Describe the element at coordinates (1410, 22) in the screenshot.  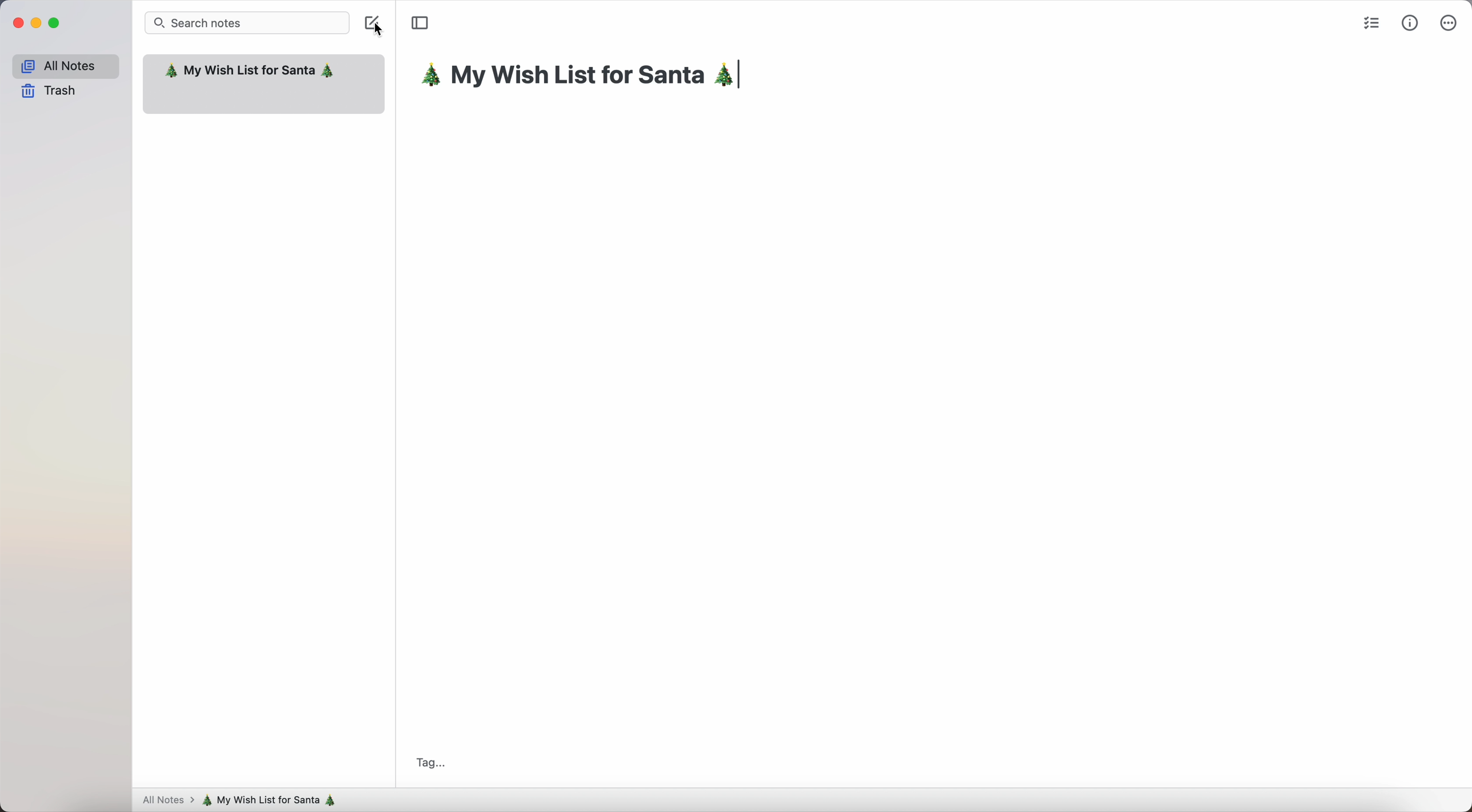
I see `metrics` at that location.